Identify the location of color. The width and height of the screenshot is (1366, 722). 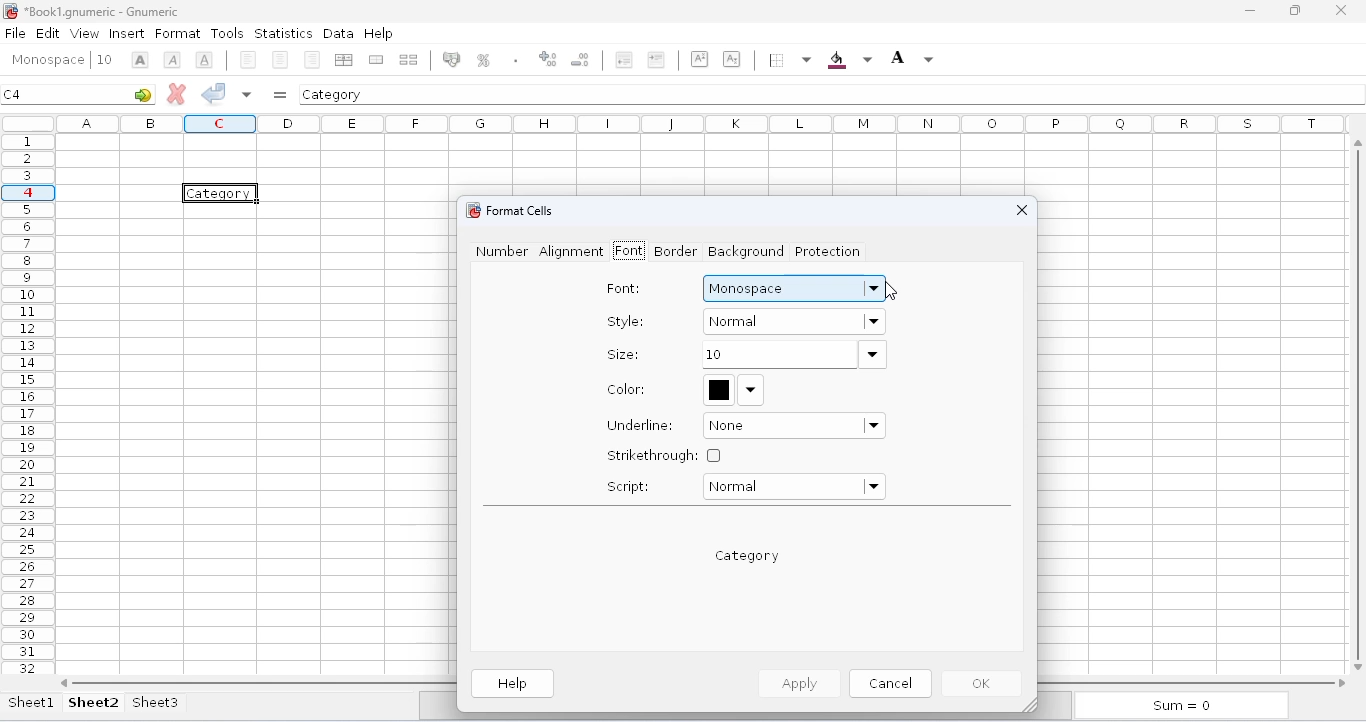
(734, 389).